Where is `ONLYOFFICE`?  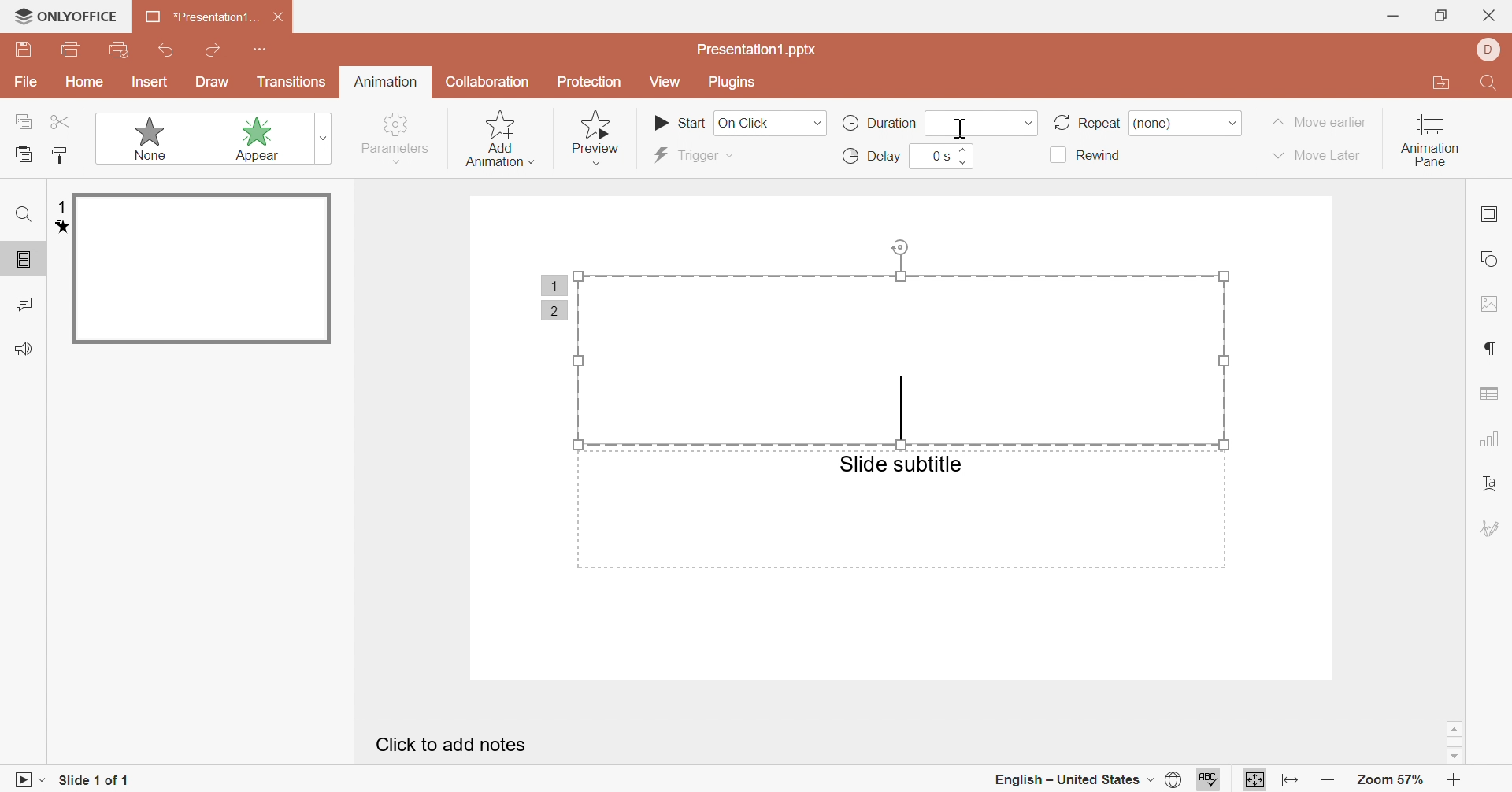 ONLYOFFICE is located at coordinates (66, 15).